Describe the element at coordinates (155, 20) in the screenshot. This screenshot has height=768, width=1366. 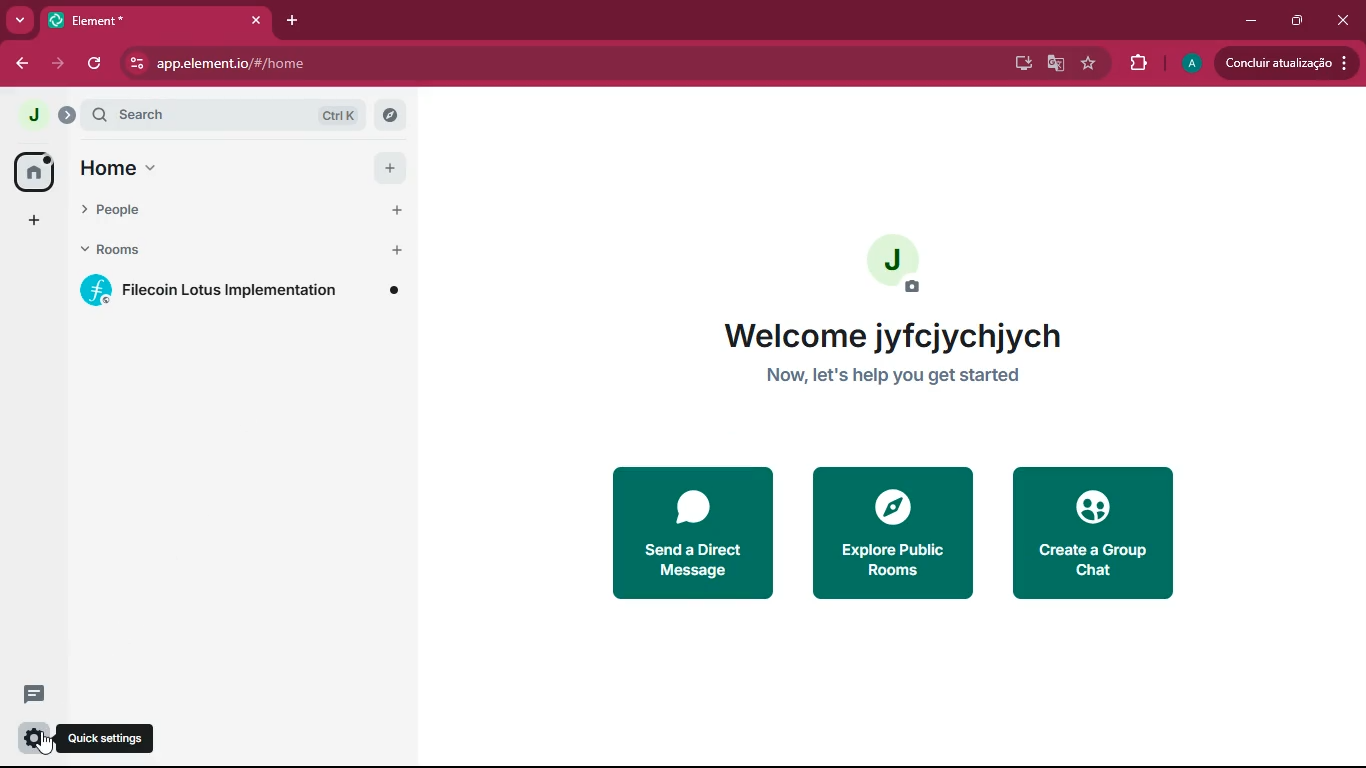
I see `element` at that location.